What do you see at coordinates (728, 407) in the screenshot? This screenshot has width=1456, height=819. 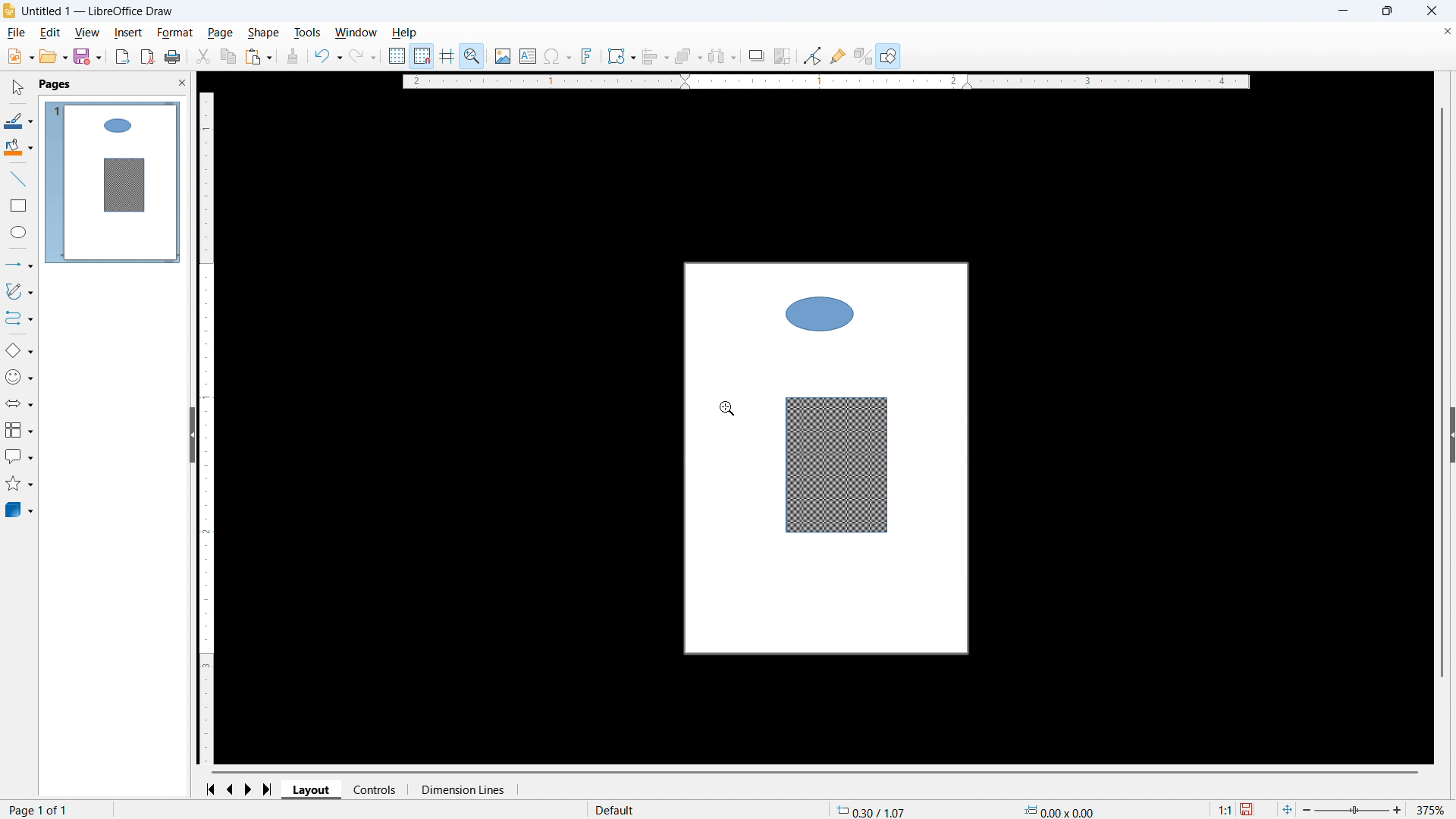 I see `Cursor as zoom tool` at bounding box center [728, 407].